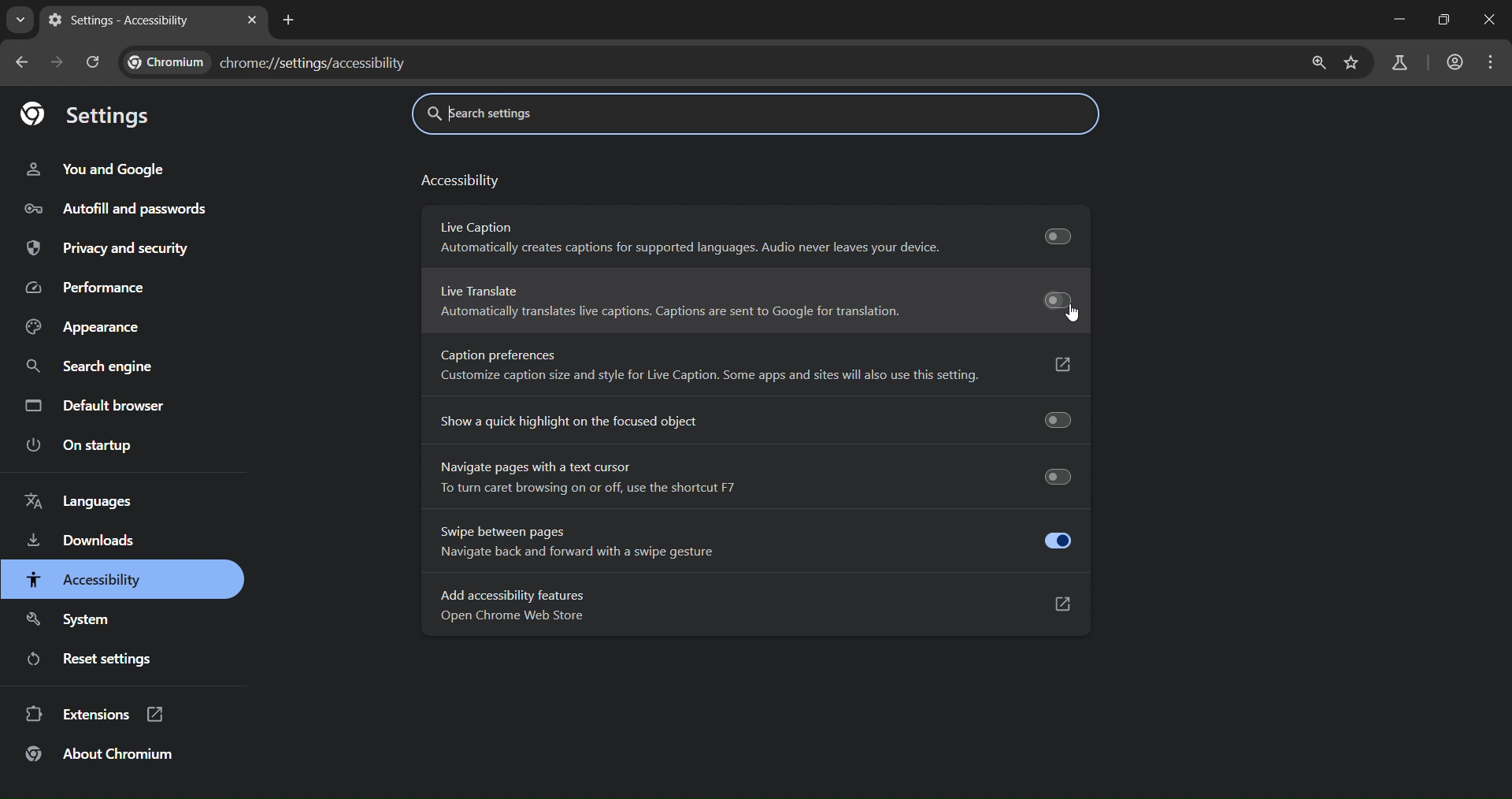 The height and width of the screenshot is (799, 1512). What do you see at coordinates (1052, 601) in the screenshot?
I see `button` at bounding box center [1052, 601].